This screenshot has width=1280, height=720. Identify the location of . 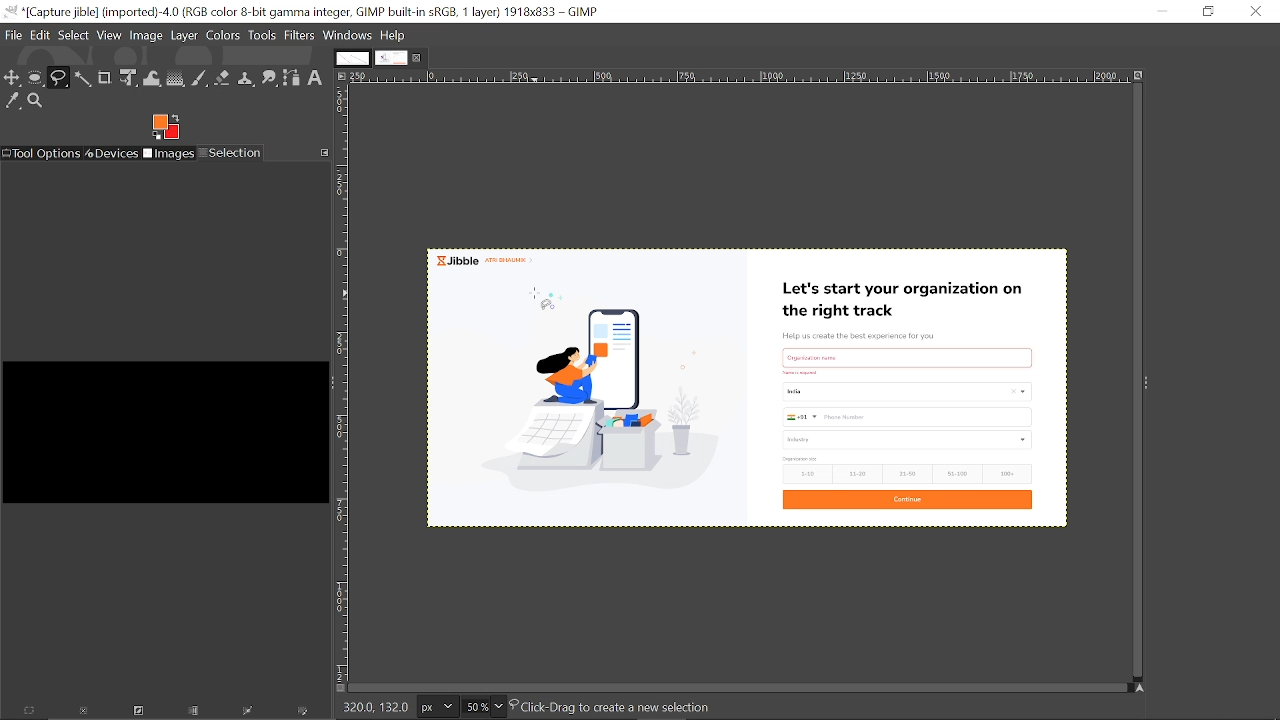
(262, 35).